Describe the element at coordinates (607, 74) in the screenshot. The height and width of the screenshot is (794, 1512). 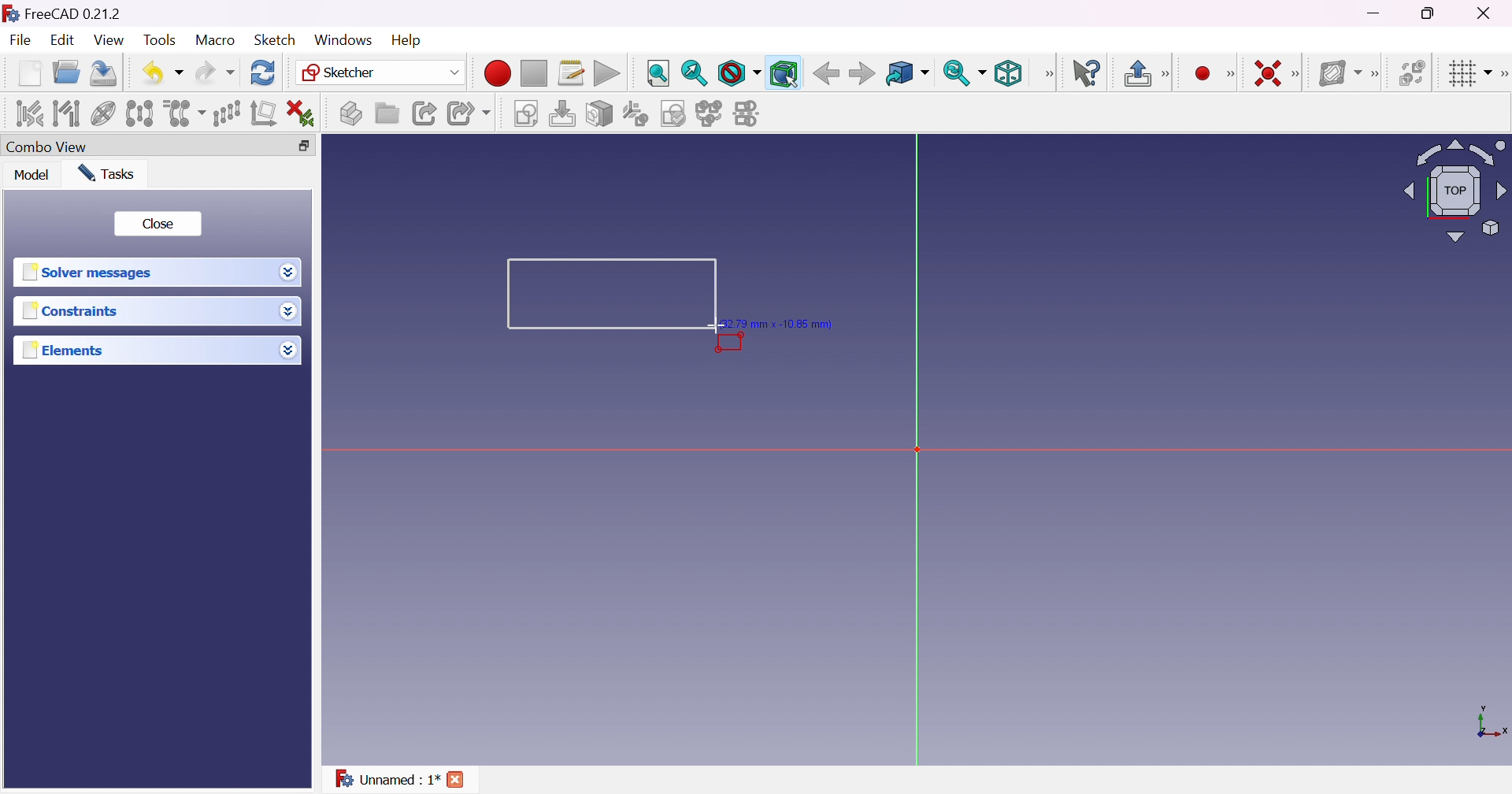
I see `Execute macro` at that location.